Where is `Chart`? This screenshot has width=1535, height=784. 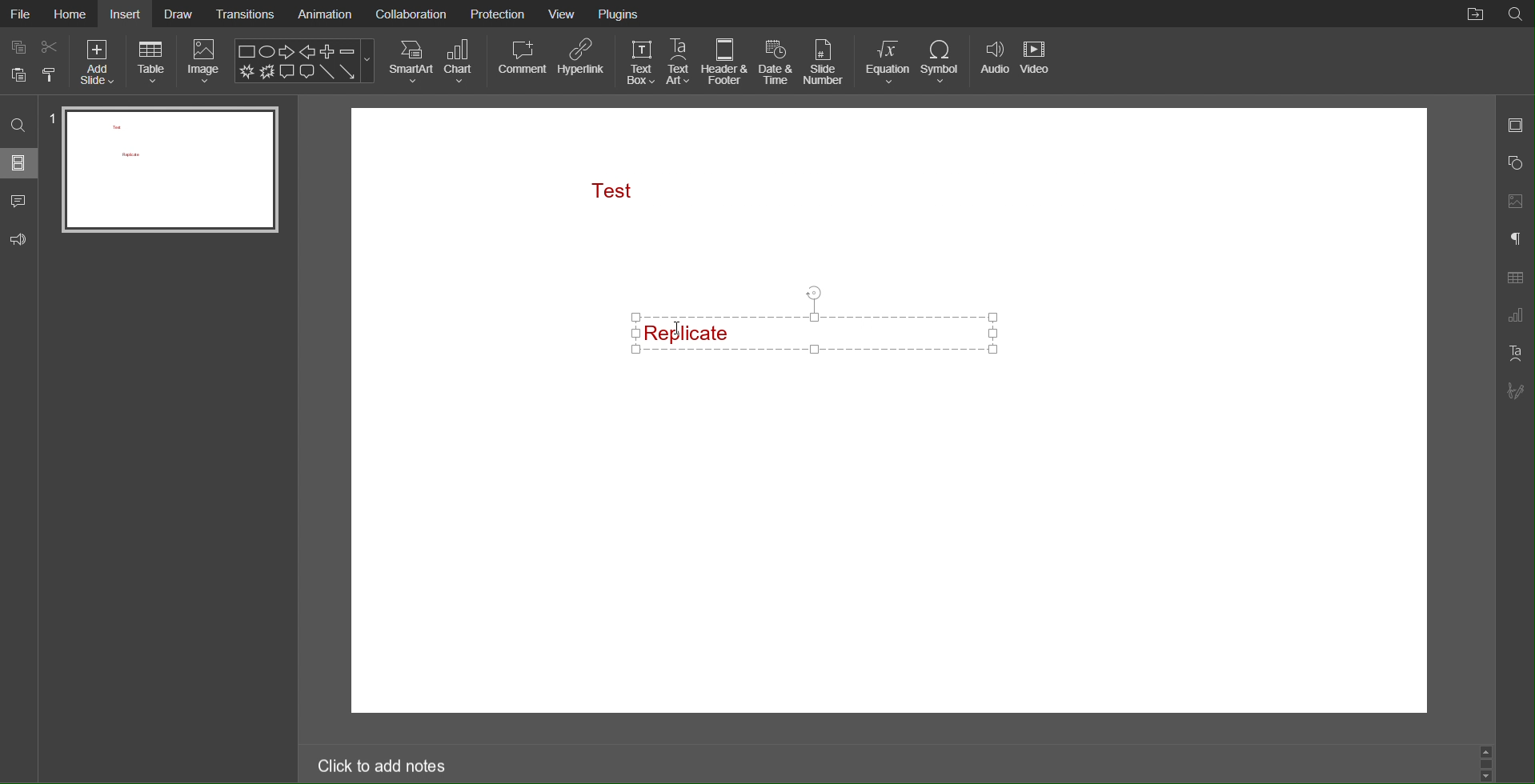
Chart is located at coordinates (463, 62).